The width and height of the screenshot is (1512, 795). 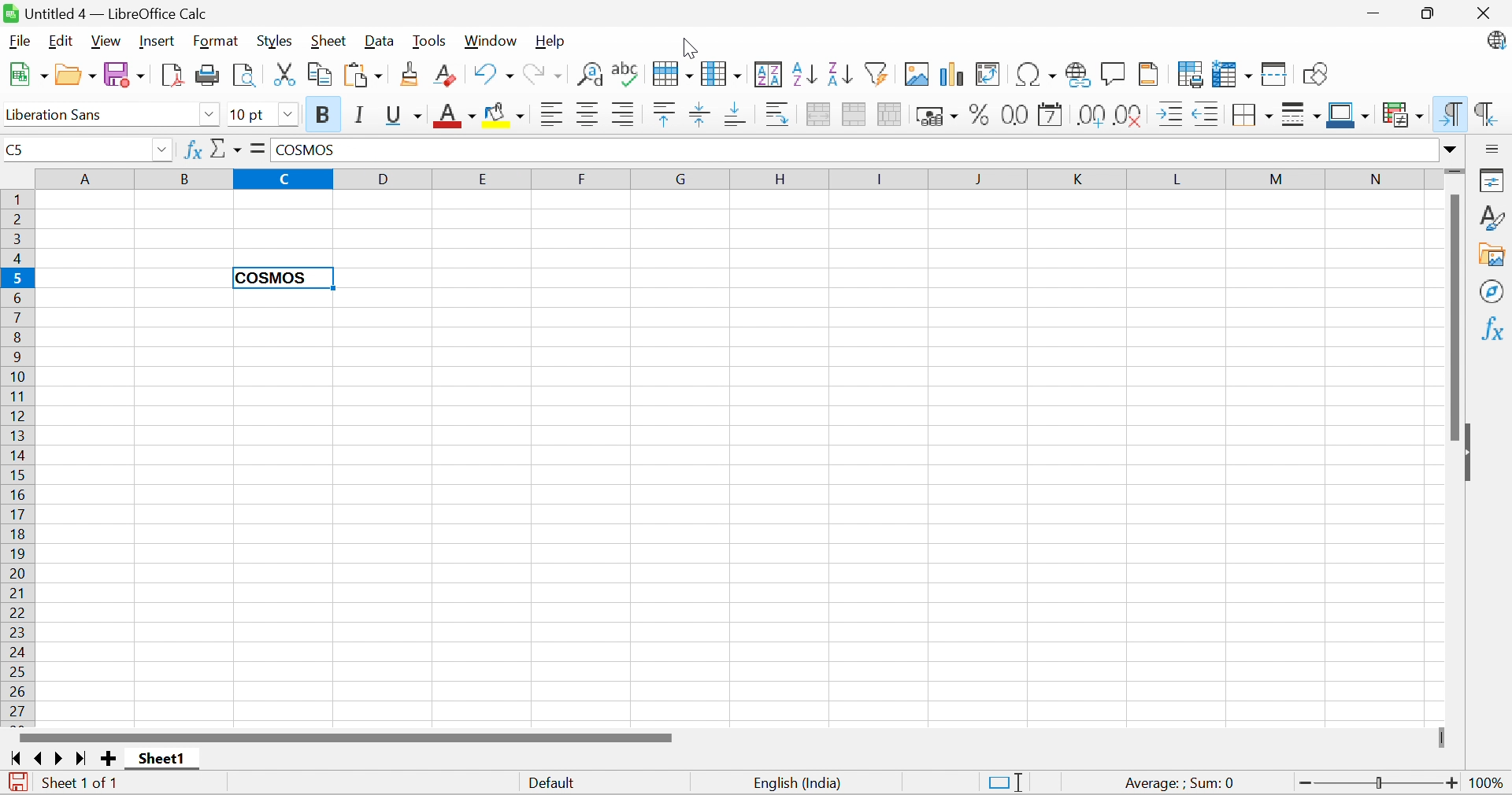 I want to click on COSMOS, so click(x=303, y=150).